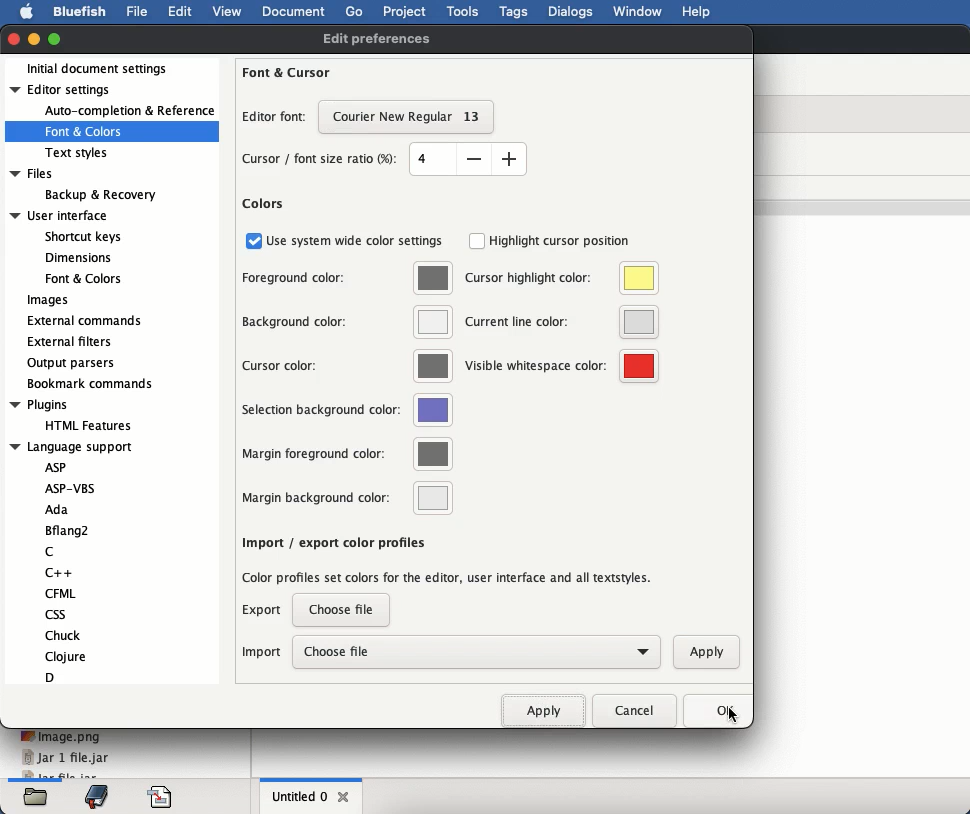 This screenshot has width=970, height=814. What do you see at coordinates (69, 248) in the screenshot?
I see `user interface` at bounding box center [69, 248].